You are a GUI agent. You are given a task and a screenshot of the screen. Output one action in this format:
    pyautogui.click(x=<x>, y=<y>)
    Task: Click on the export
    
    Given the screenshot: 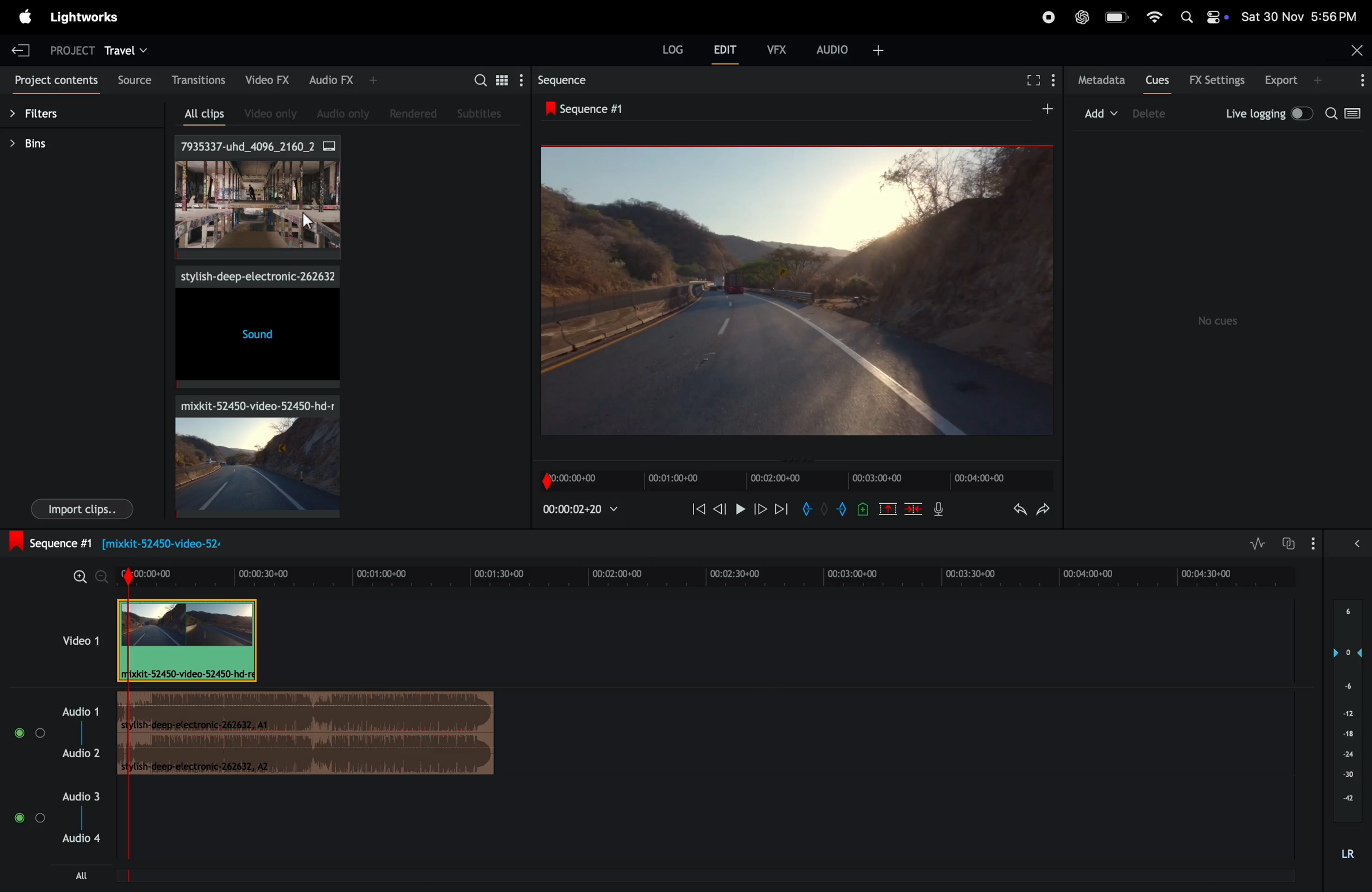 What is the action you would take?
    pyautogui.click(x=1287, y=80)
    